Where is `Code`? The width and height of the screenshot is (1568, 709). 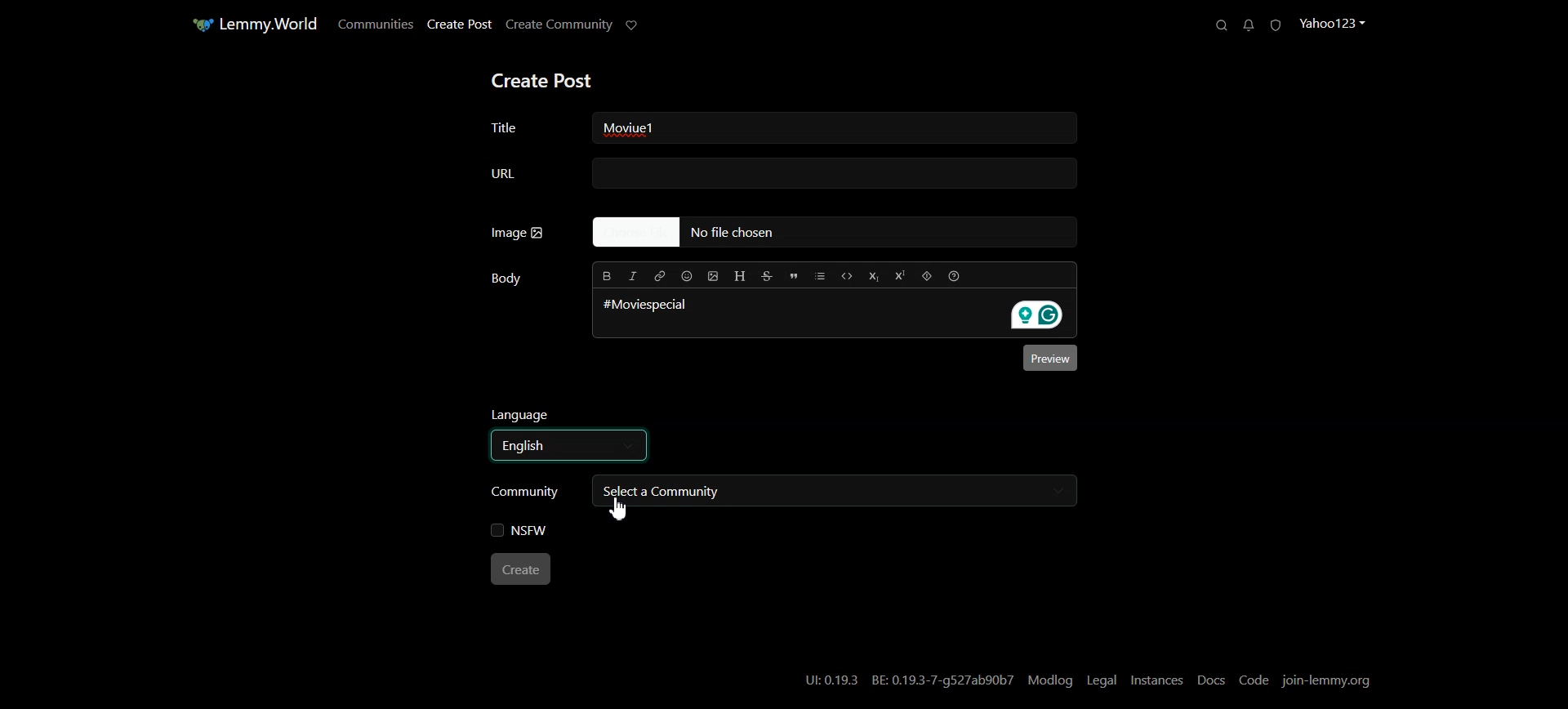
Code is located at coordinates (1255, 680).